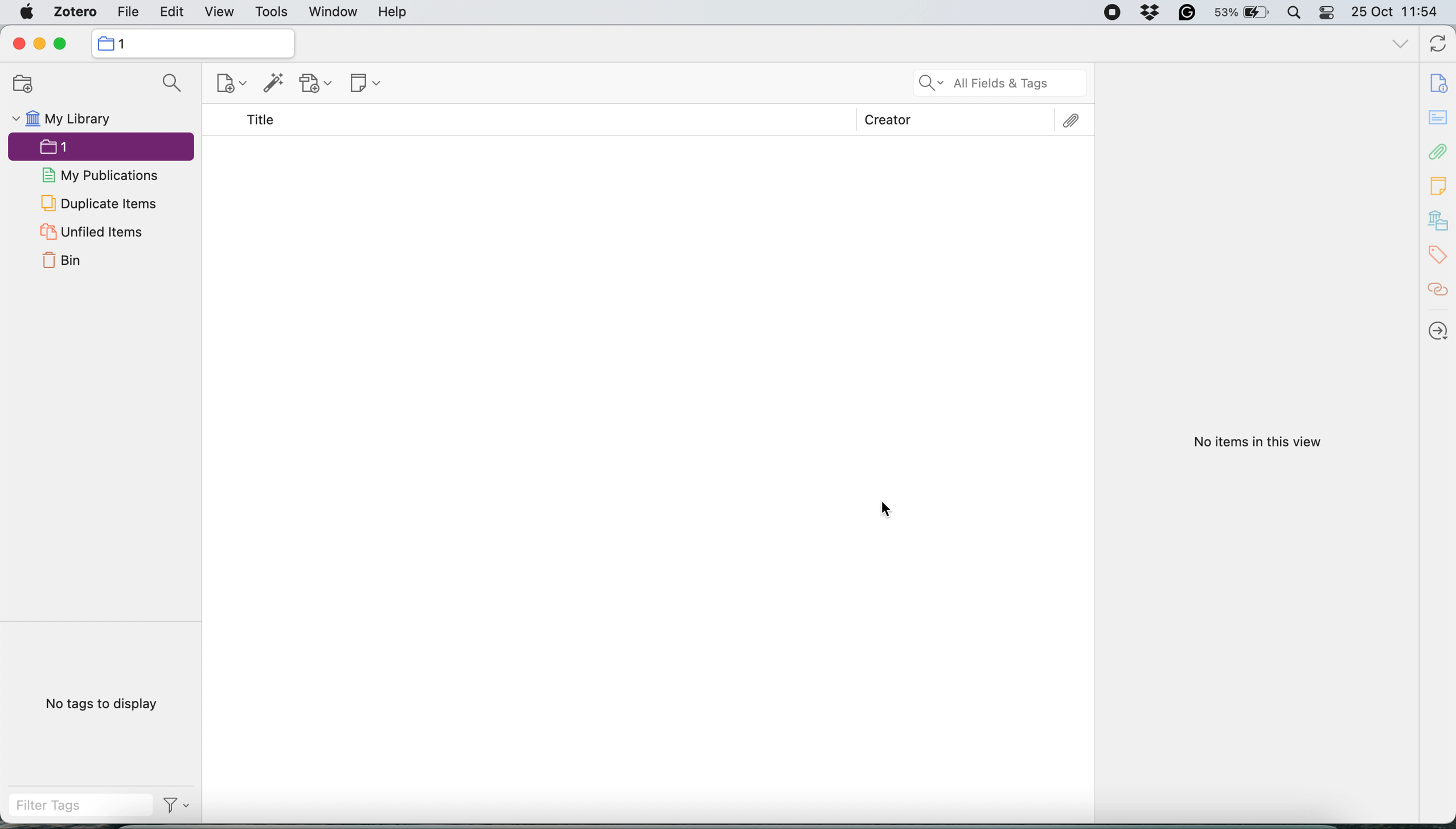  I want to click on system logo, so click(25, 12).